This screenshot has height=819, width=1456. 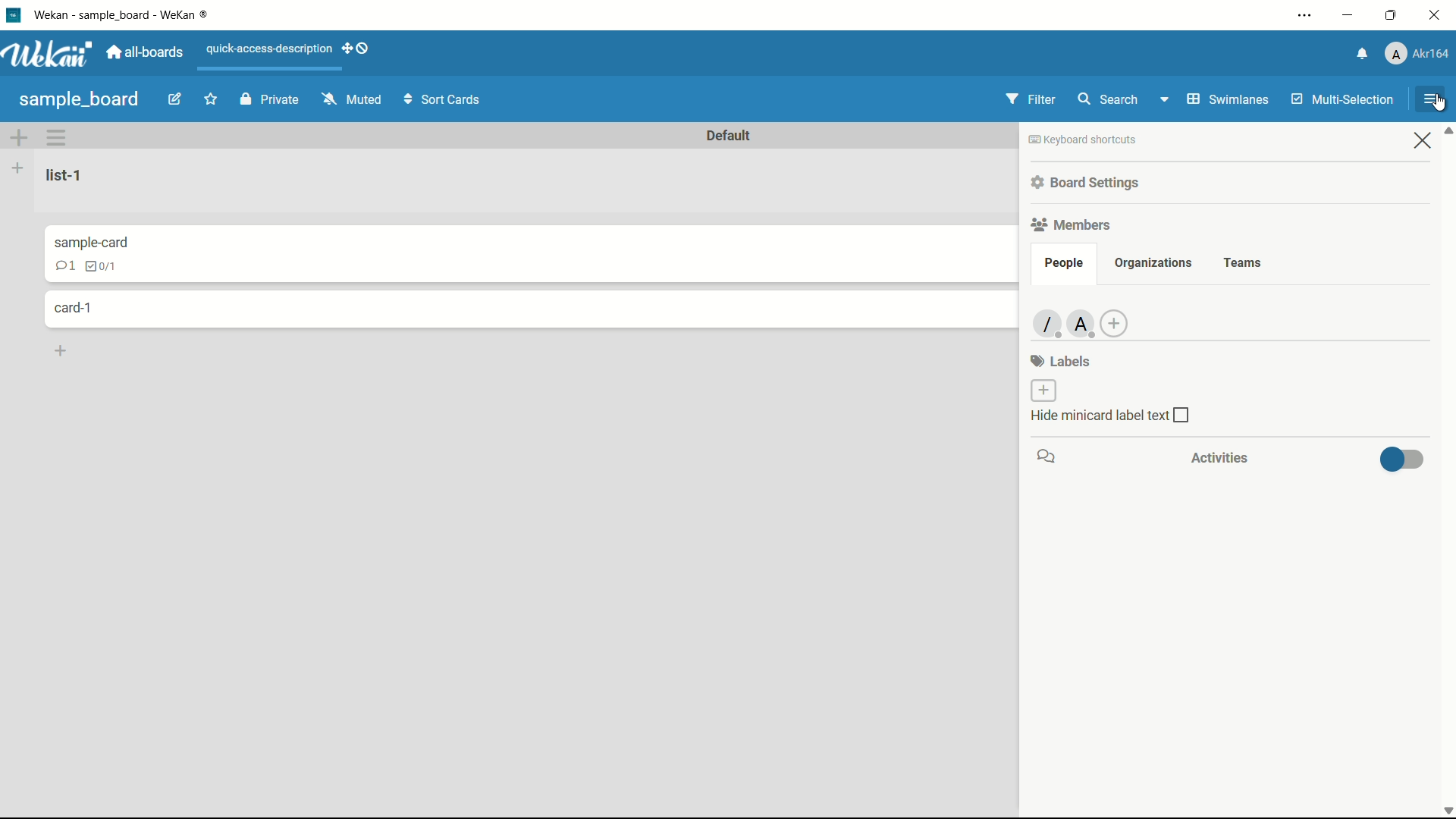 I want to click on member-1, so click(x=1047, y=324).